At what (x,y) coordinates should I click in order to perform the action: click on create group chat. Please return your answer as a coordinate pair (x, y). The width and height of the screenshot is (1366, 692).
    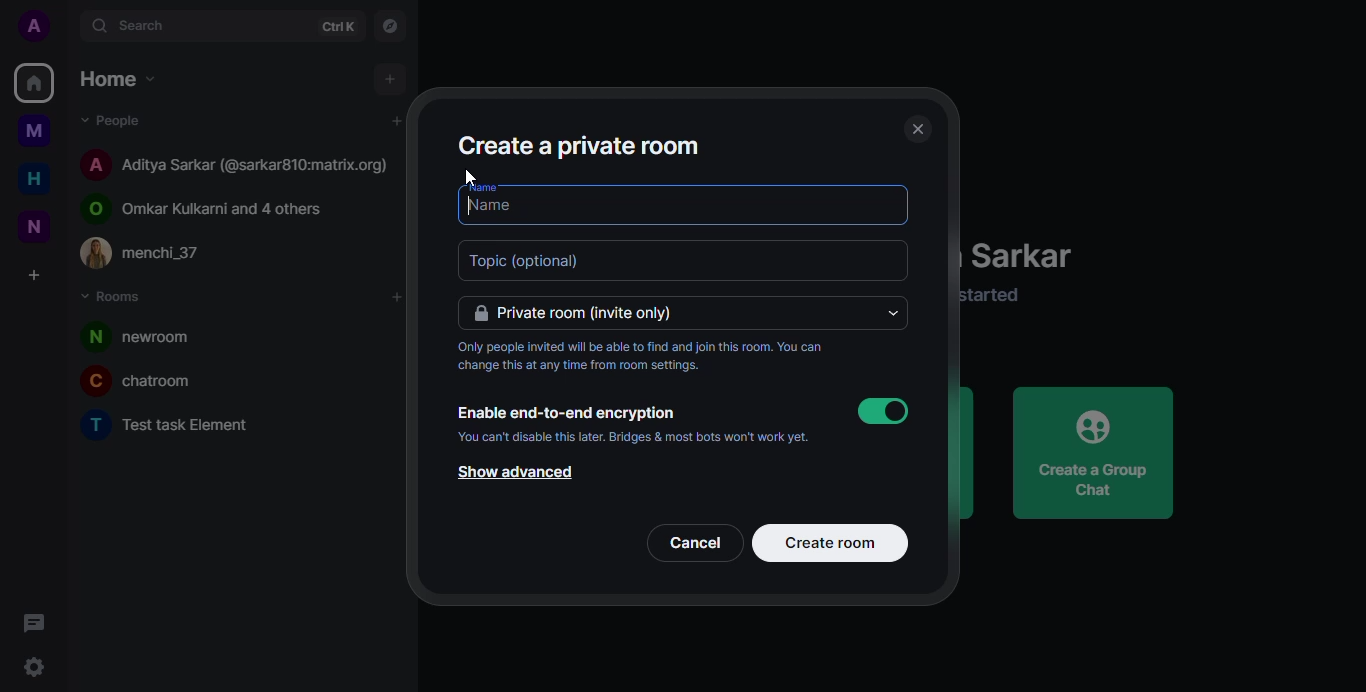
    Looking at the image, I should click on (1091, 452).